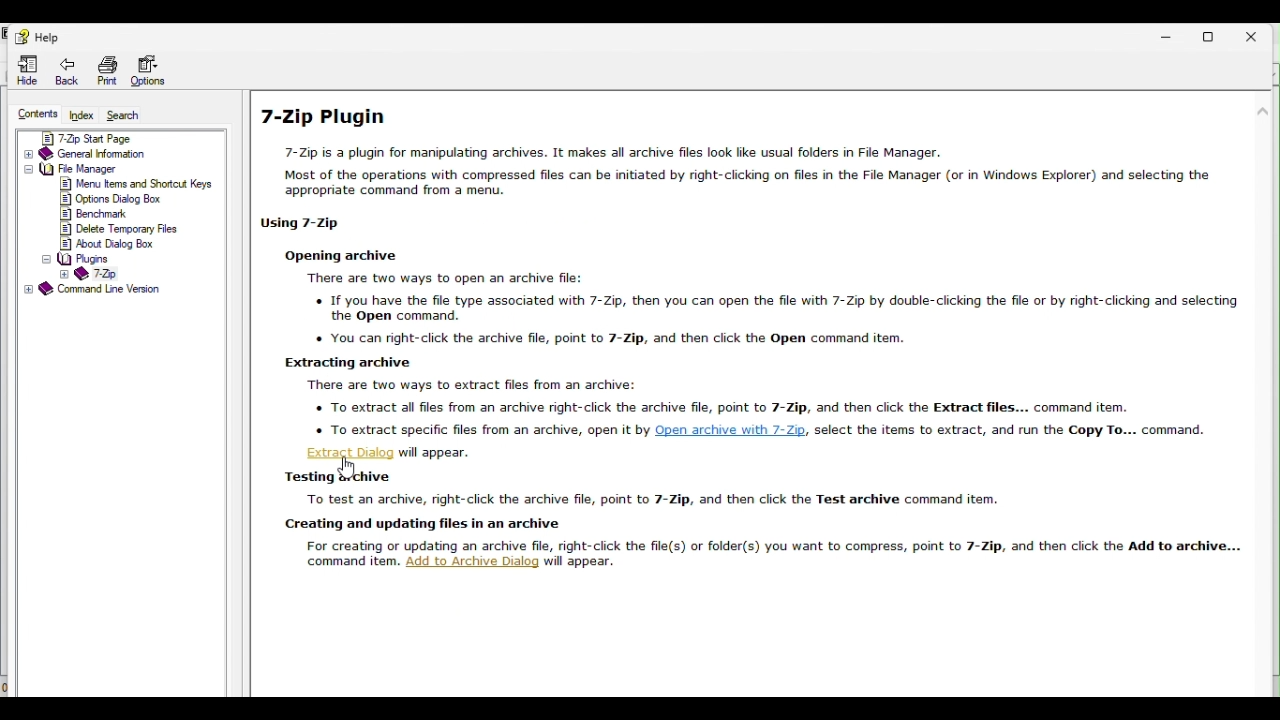 The height and width of the screenshot is (720, 1280). Describe the element at coordinates (1215, 35) in the screenshot. I see `restore` at that location.